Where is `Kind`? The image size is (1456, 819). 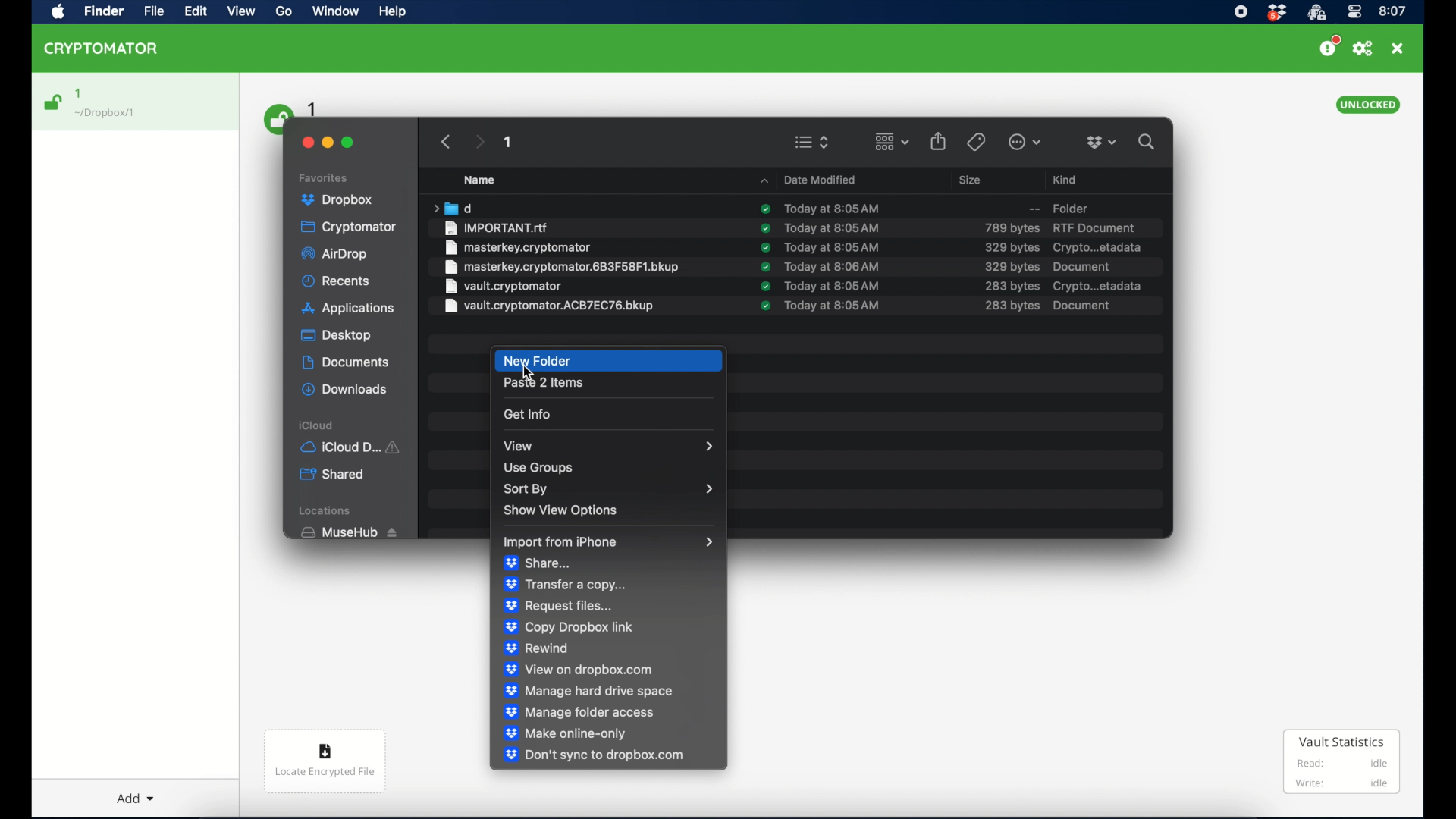 Kind is located at coordinates (1067, 177).